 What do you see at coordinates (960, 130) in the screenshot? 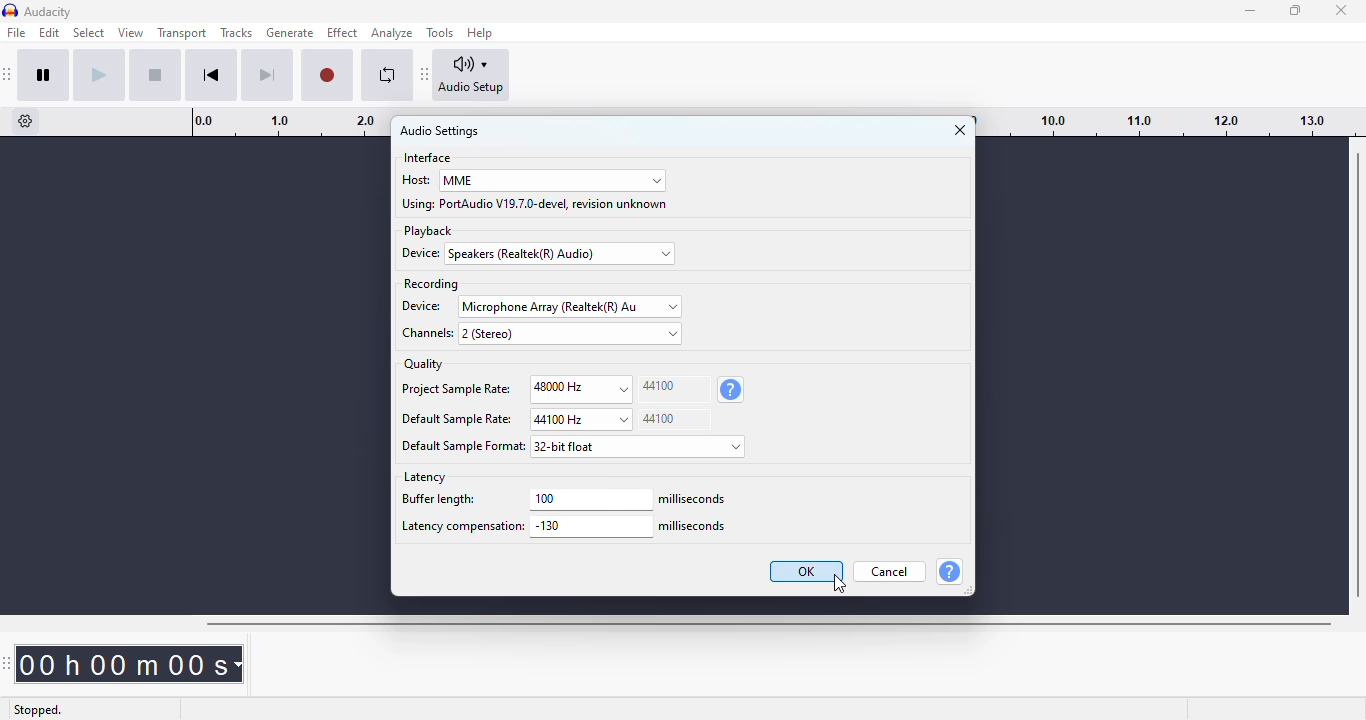
I see `close` at bounding box center [960, 130].